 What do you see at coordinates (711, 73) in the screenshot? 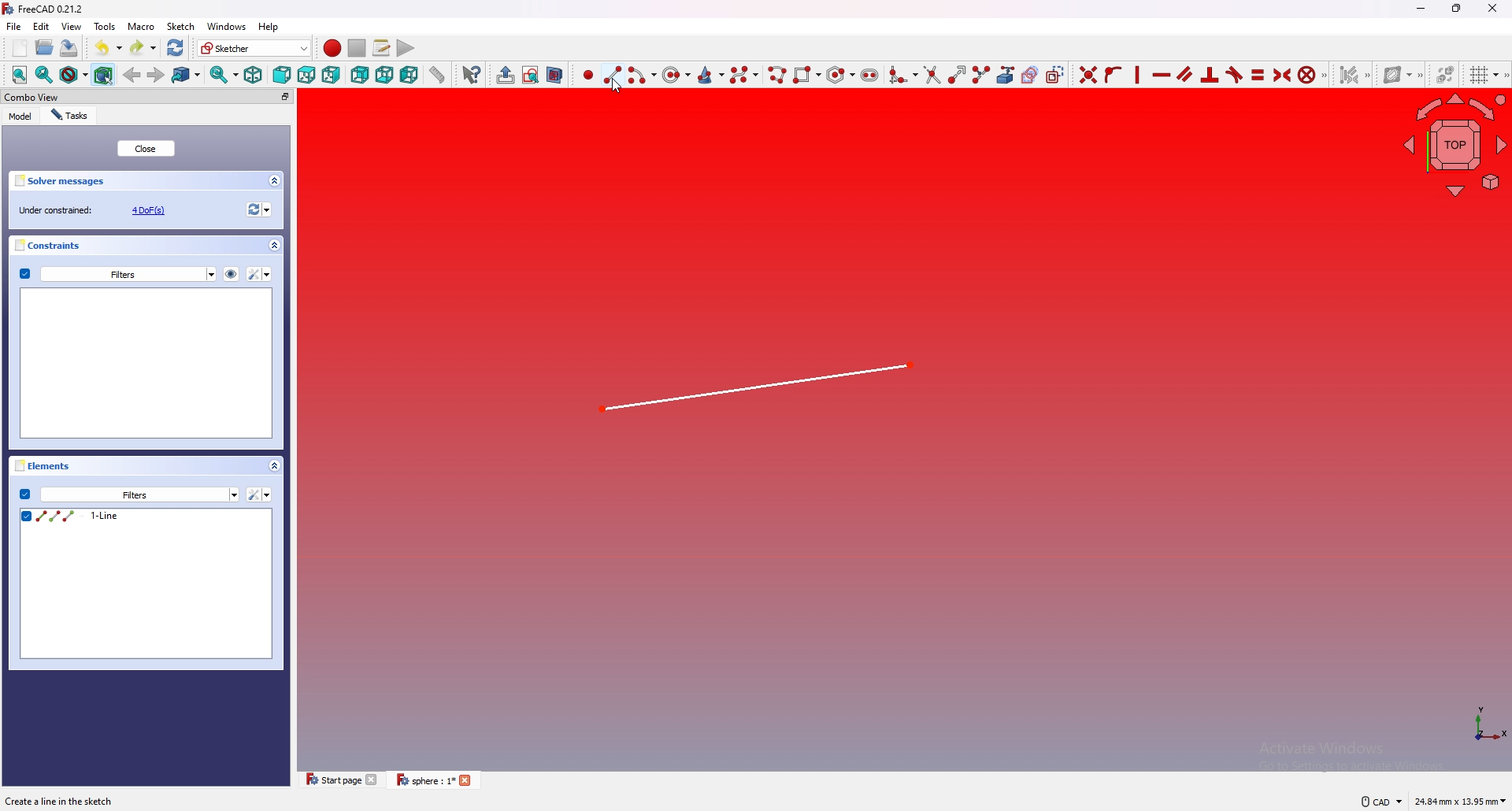
I see `Create conic` at bounding box center [711, 73].